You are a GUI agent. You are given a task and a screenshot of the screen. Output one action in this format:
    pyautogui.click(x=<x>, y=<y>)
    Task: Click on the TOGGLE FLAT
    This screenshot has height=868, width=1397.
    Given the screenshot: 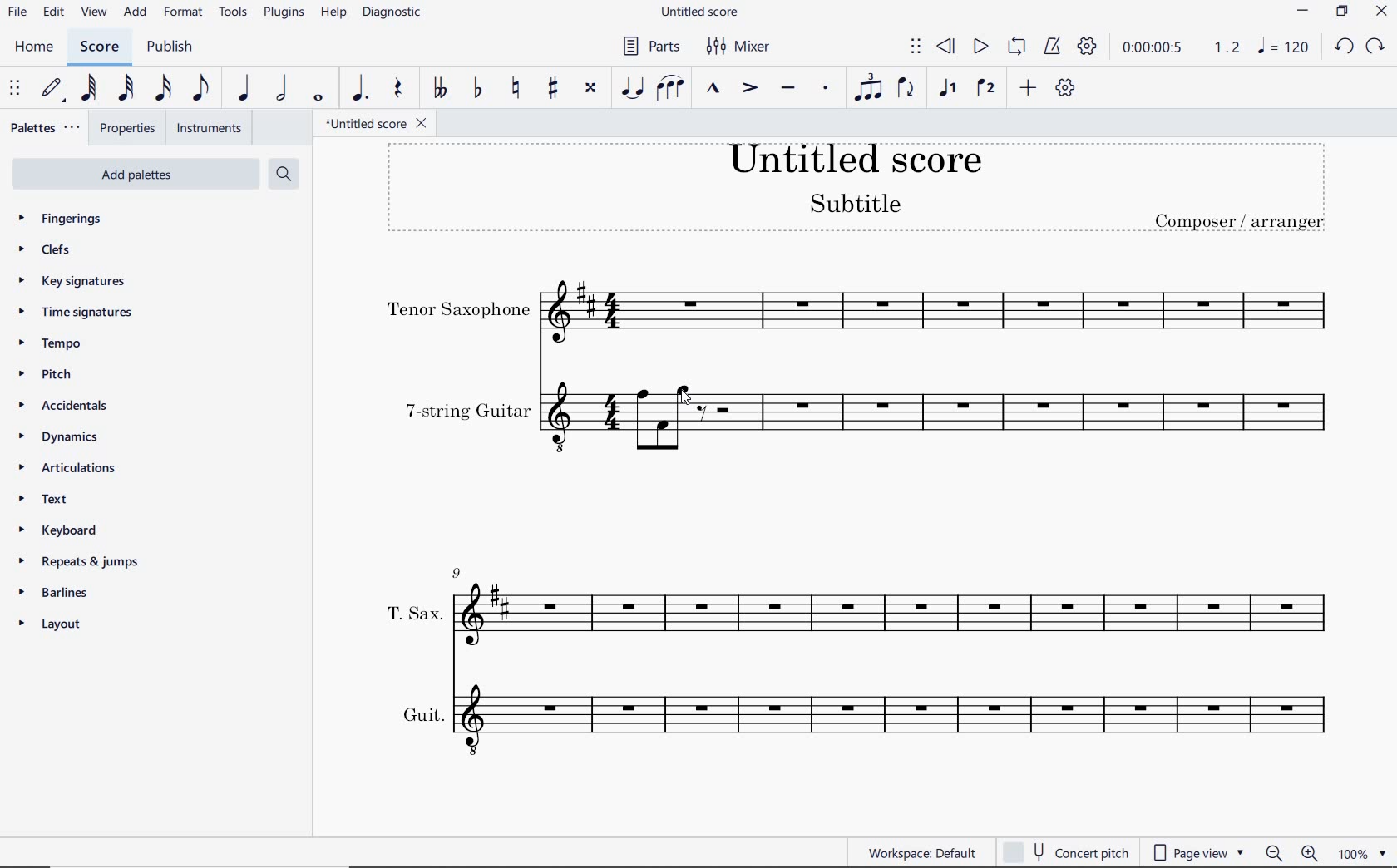 What is the action you would take?
    pyautogui.click(x=478, y=89)
    